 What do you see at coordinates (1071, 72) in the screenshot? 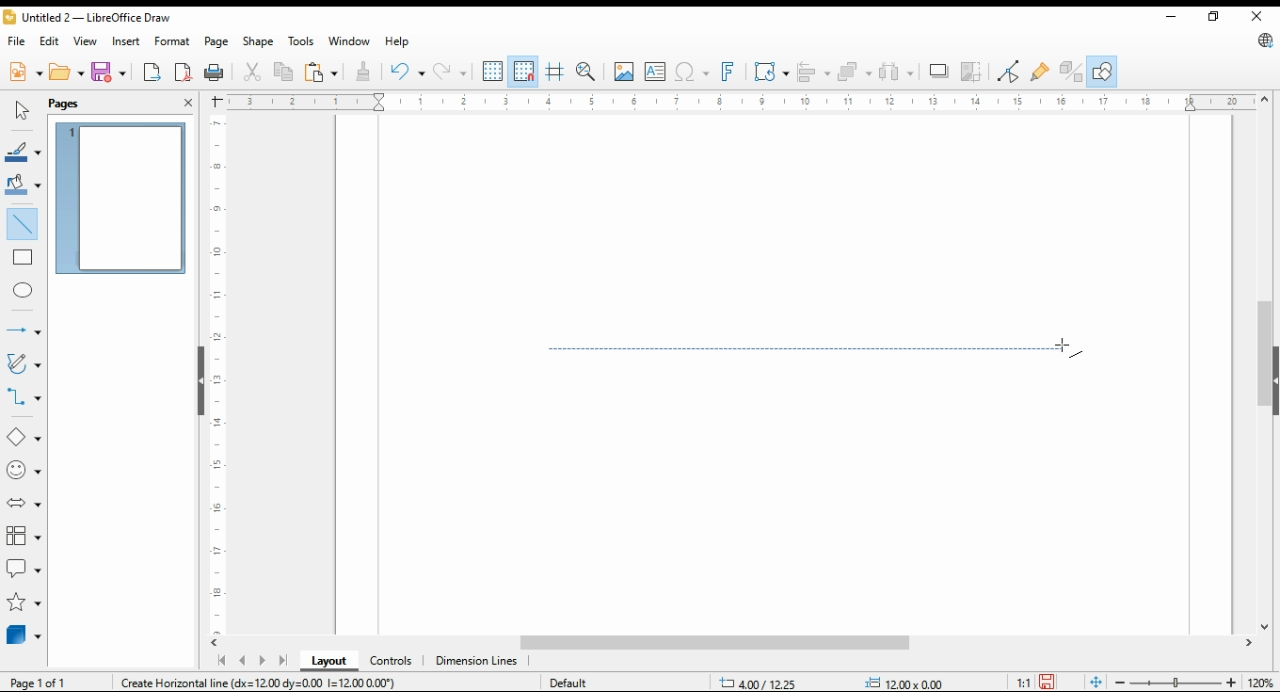
I see `toggle extrusions` at bounding box center [1071, 72].